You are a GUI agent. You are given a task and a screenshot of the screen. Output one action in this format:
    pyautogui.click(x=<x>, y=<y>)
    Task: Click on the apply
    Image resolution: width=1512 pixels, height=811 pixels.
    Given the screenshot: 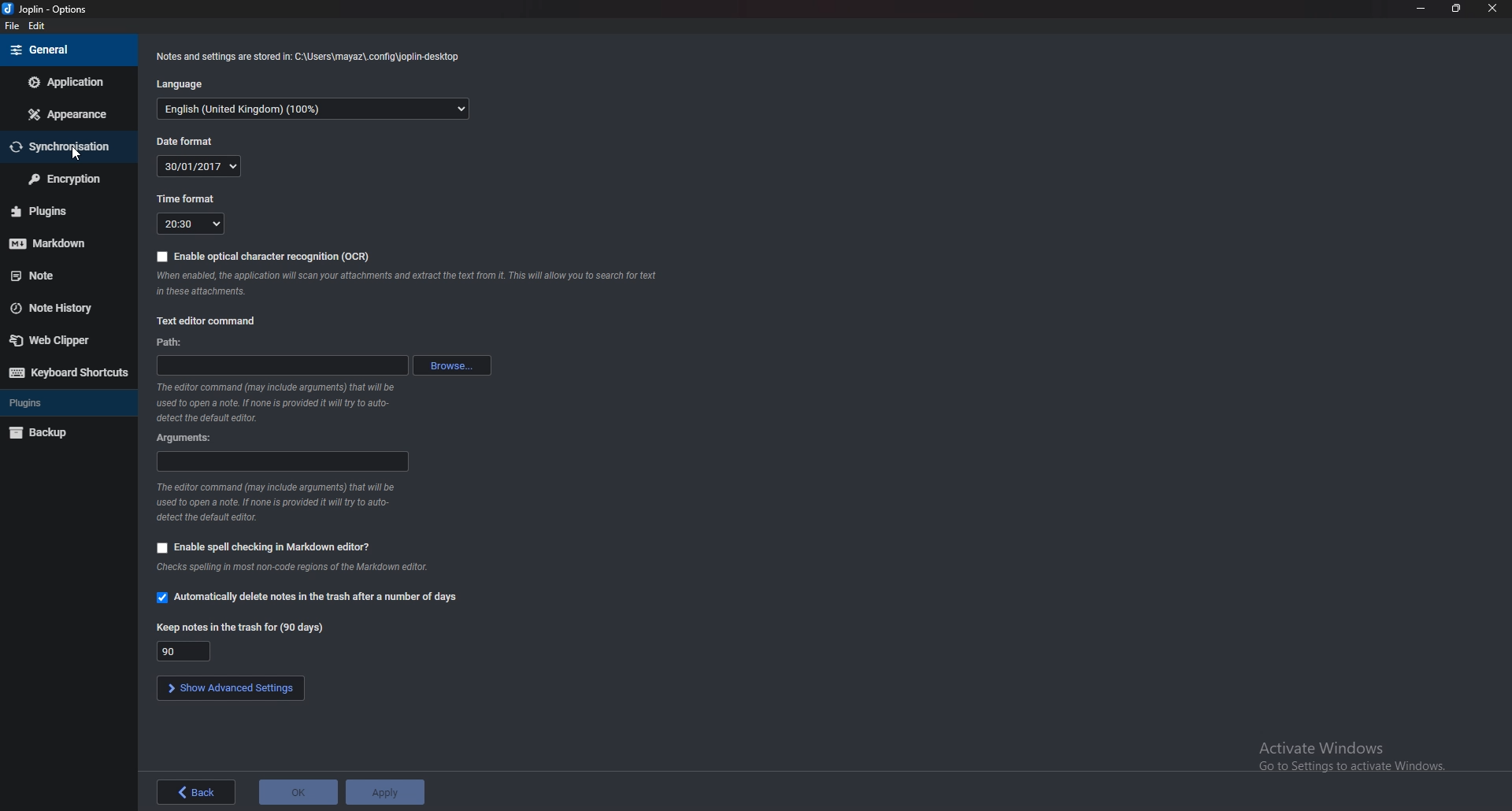 What is the action you would take?
    pyautogui.click(x=381, y=792)
    